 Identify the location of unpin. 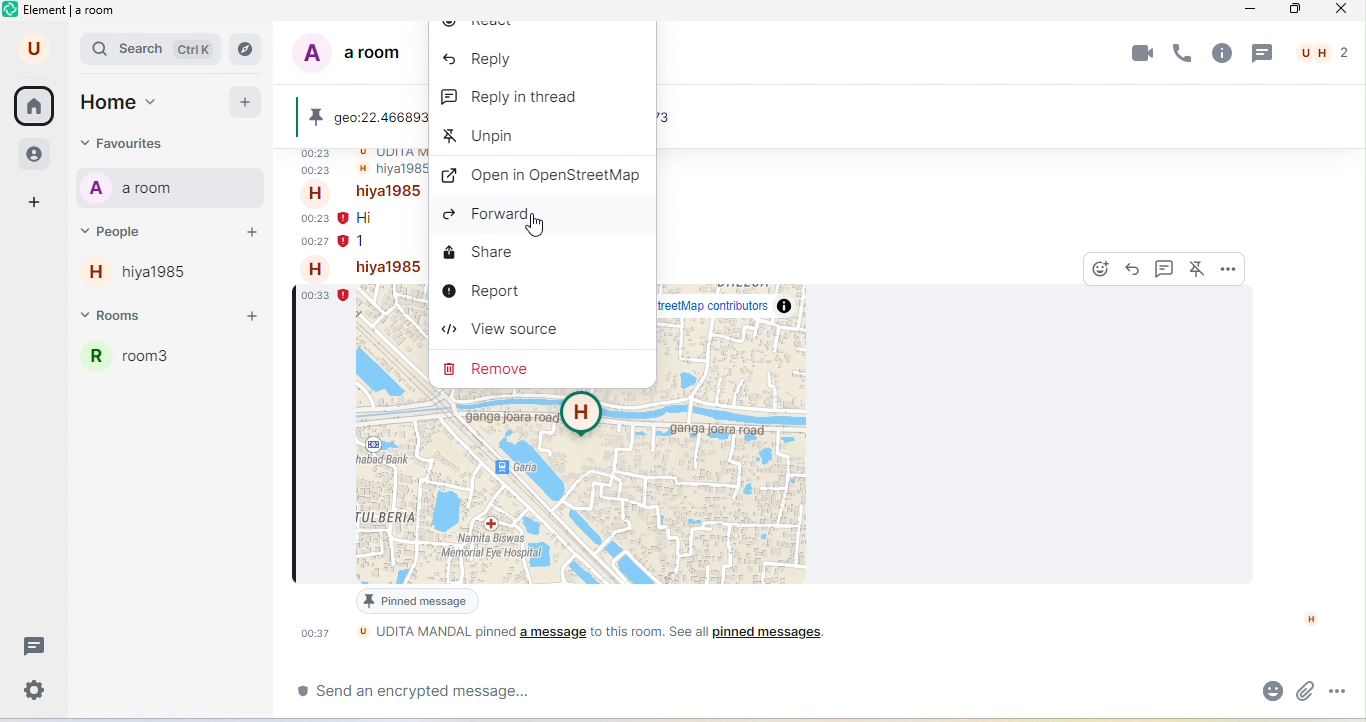
(486, 139).